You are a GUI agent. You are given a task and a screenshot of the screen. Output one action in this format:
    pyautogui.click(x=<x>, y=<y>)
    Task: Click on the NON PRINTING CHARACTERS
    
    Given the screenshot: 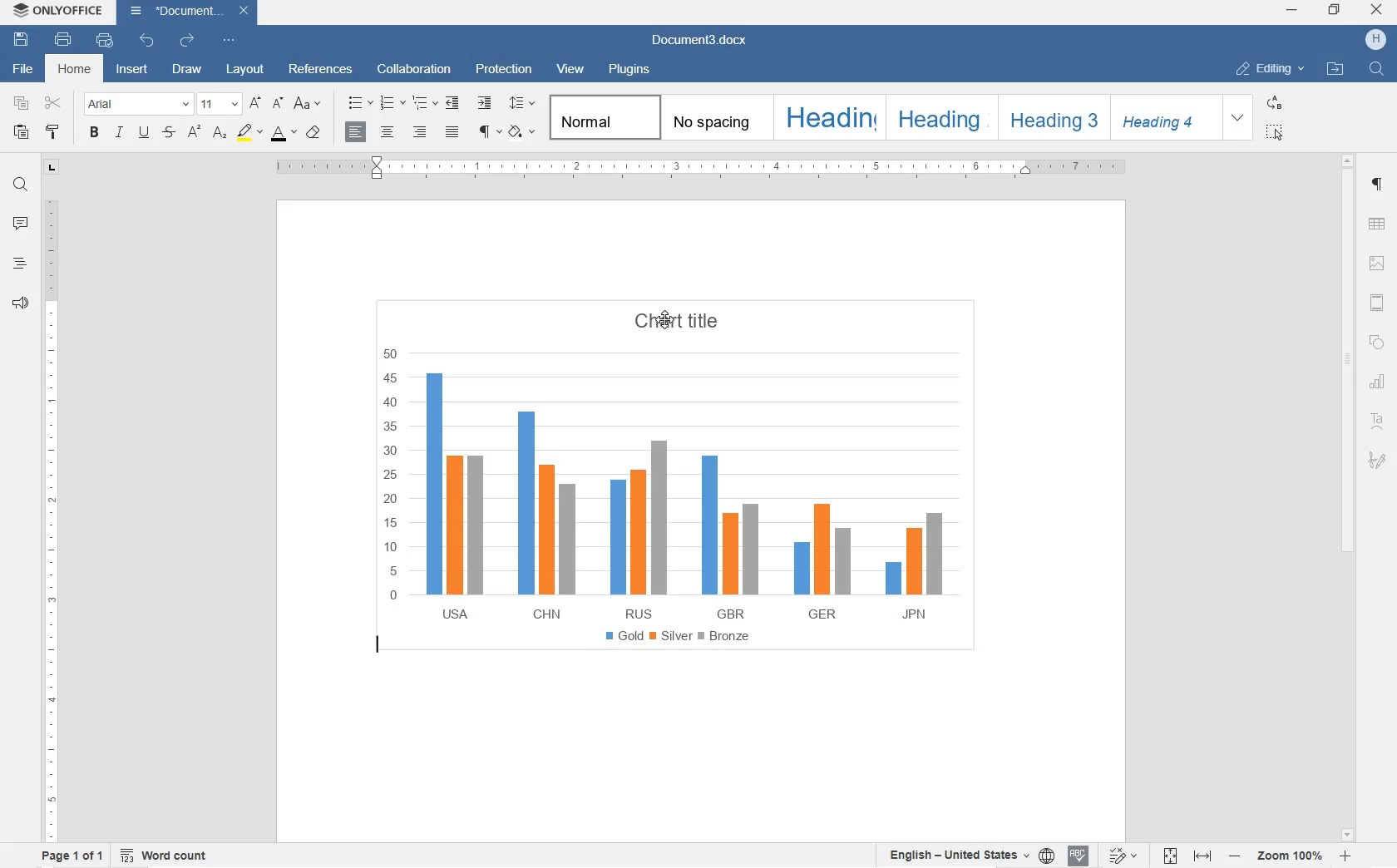 What is the action you would take?
    pyautogui.click(x=489, y=133)
    